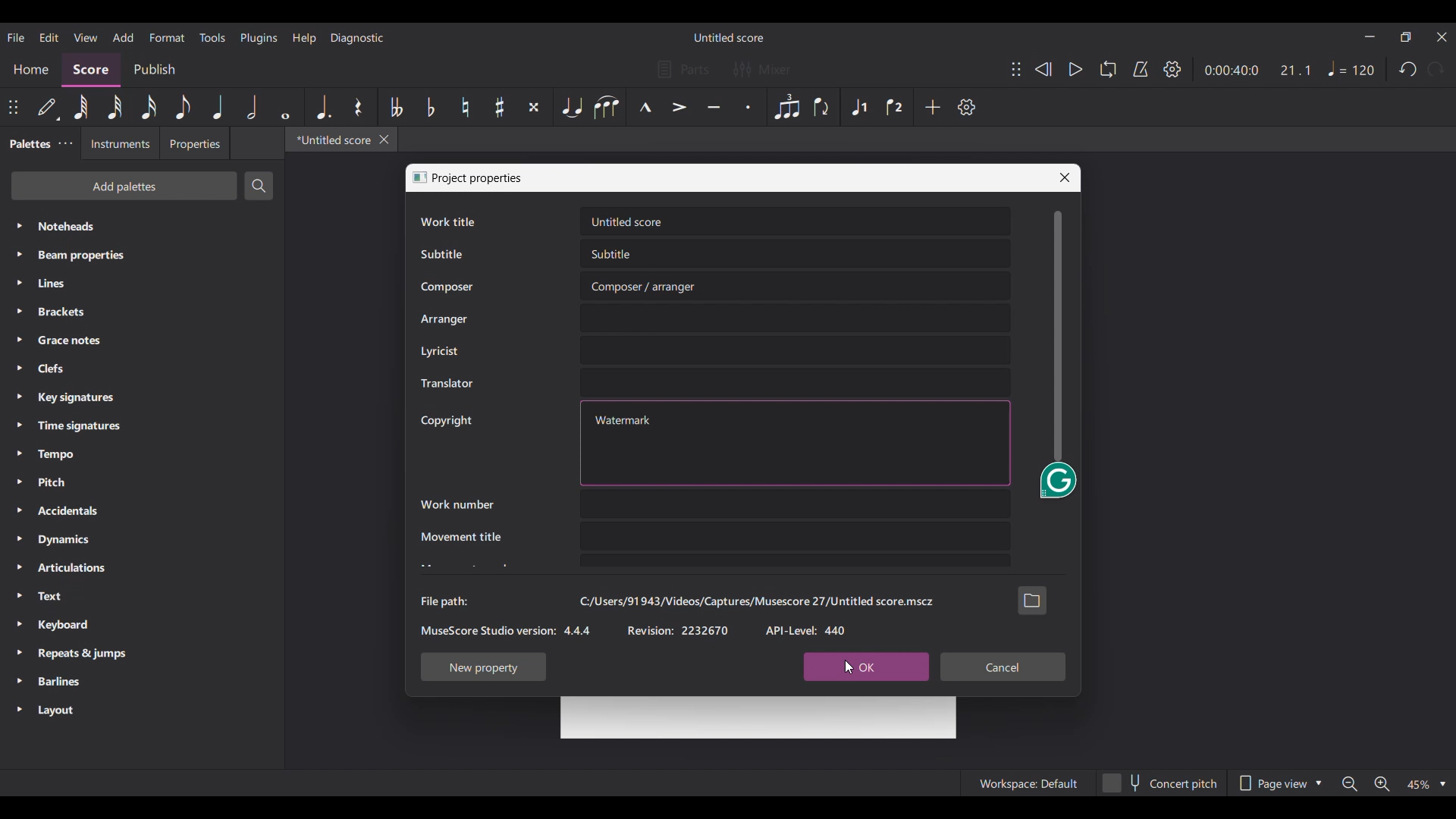 This screenshot has height=819, width=1456. Describe the element at coordinates (824, 107) in the screenshot. I see `Flip direction` at that location.